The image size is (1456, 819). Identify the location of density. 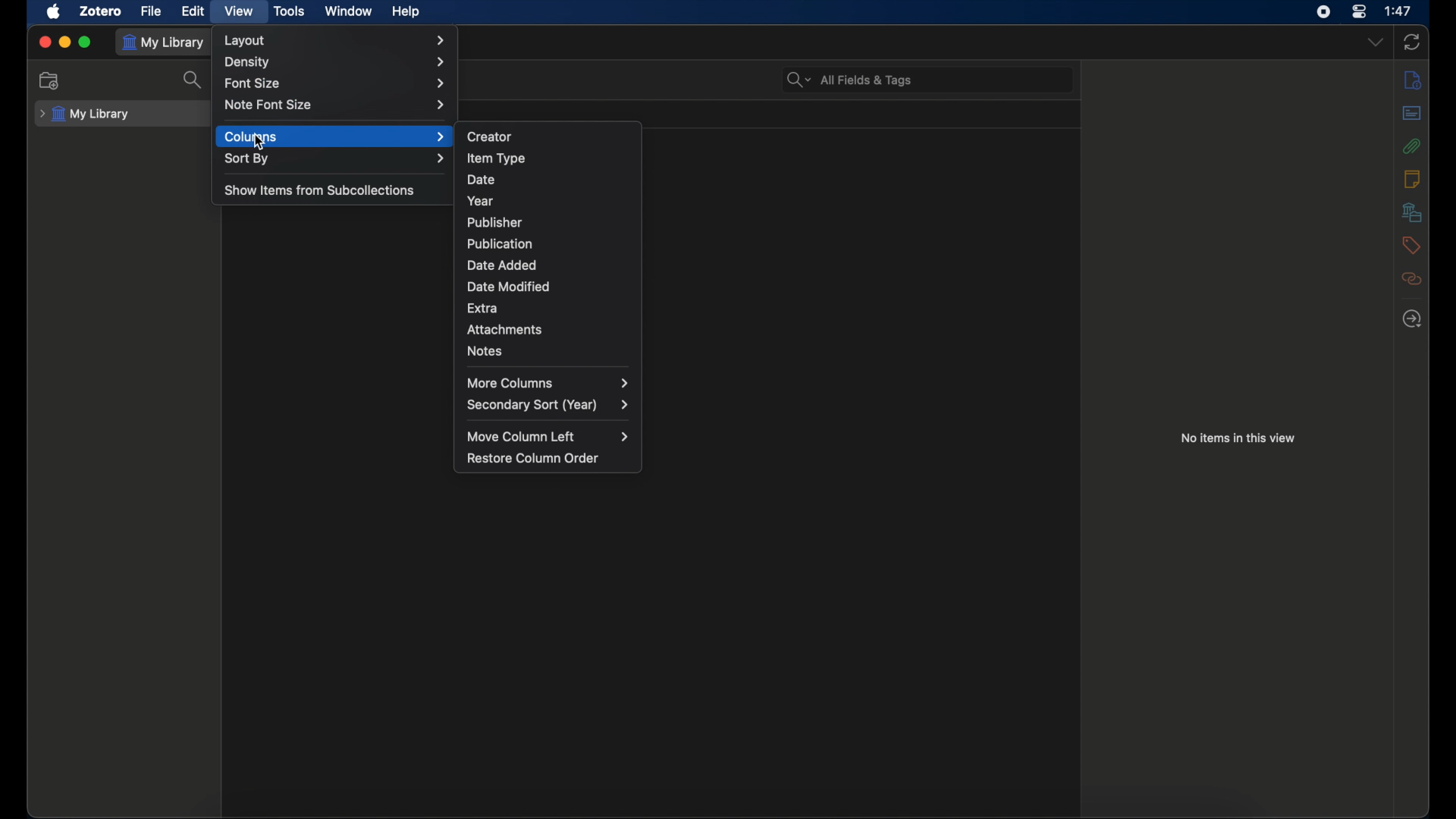
(337, 63).